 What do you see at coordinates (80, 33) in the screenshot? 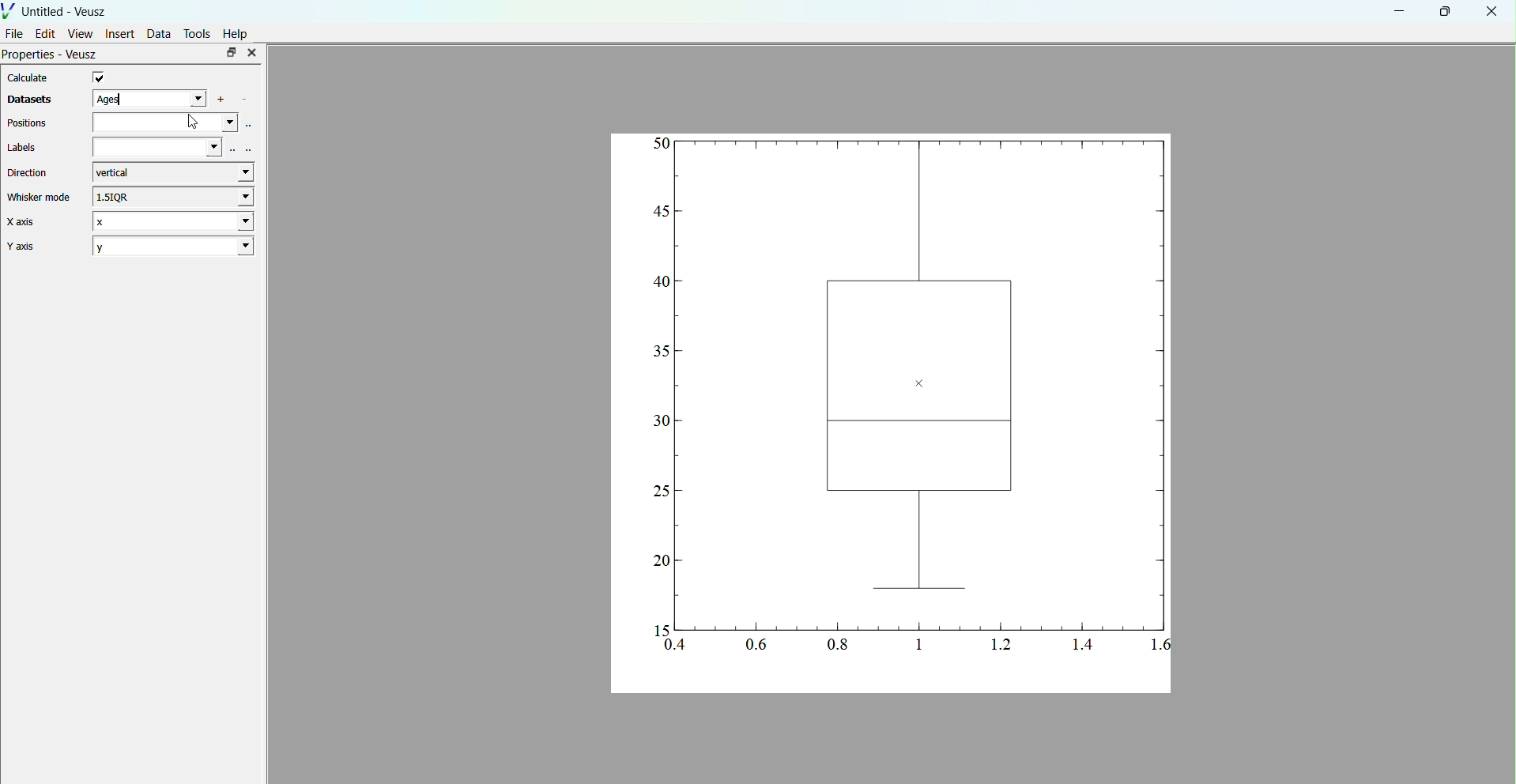
I see `View` at bounding box center [80, 33].